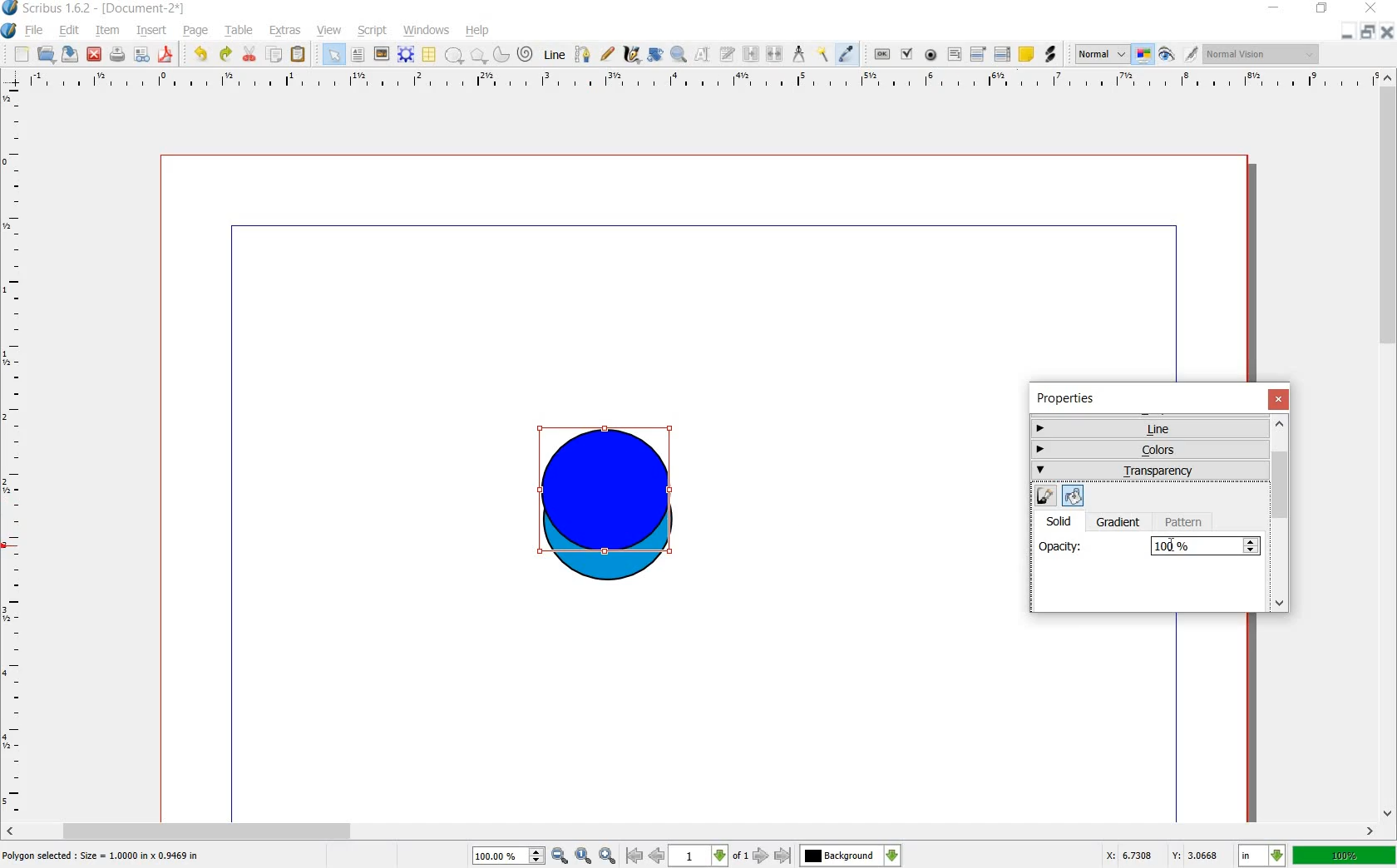  What do you see at coordinates (499, 855) in the screenshot?
I see `100%` at bounding box center [499, 855].